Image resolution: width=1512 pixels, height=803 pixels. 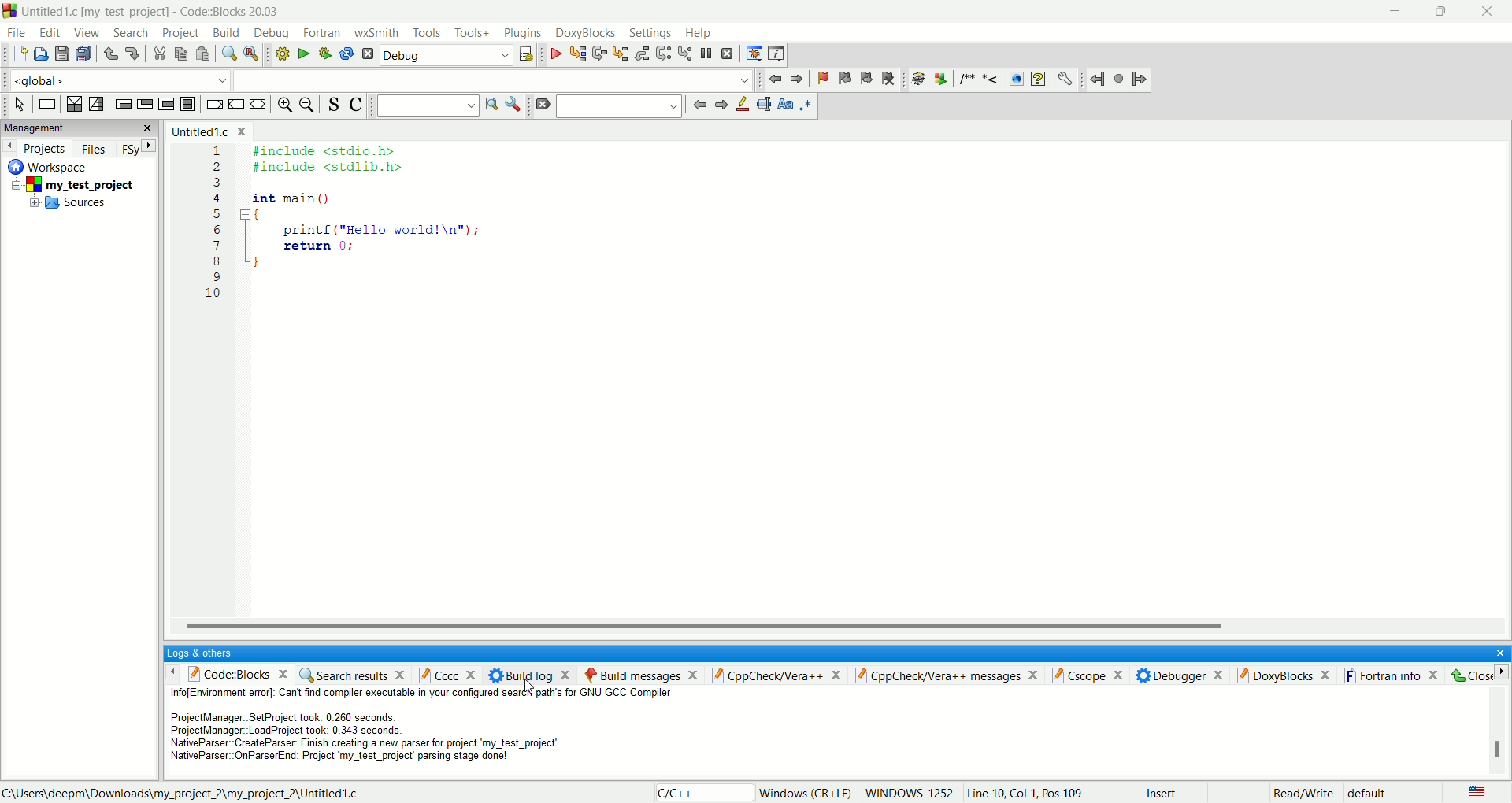 What do you see at coordinates (640, 675) in the screenshot?
I see `build messages` at bounding box center [640, 675].